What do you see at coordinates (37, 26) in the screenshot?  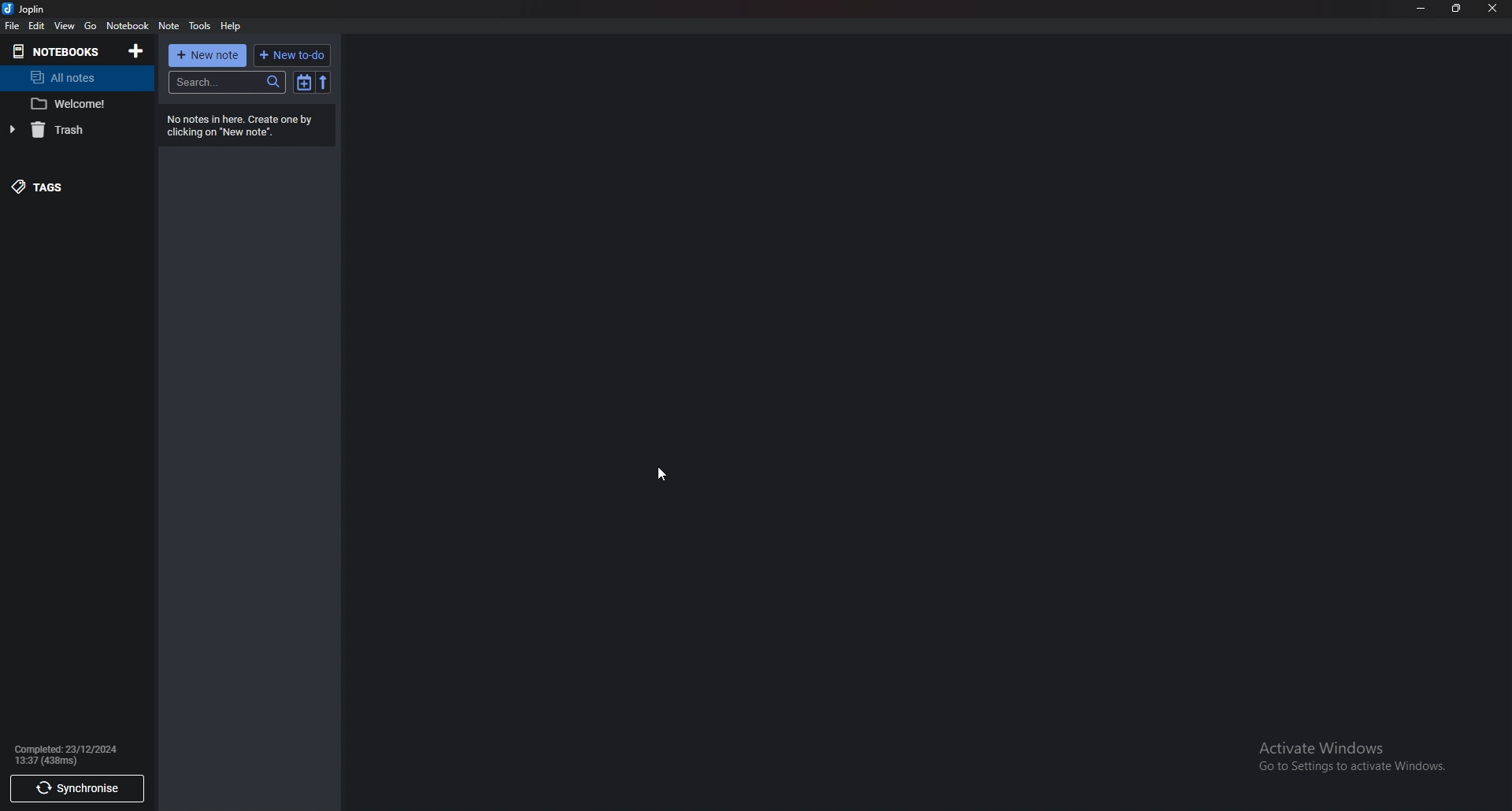 I see `Edit` at bounding box center [37, 26].